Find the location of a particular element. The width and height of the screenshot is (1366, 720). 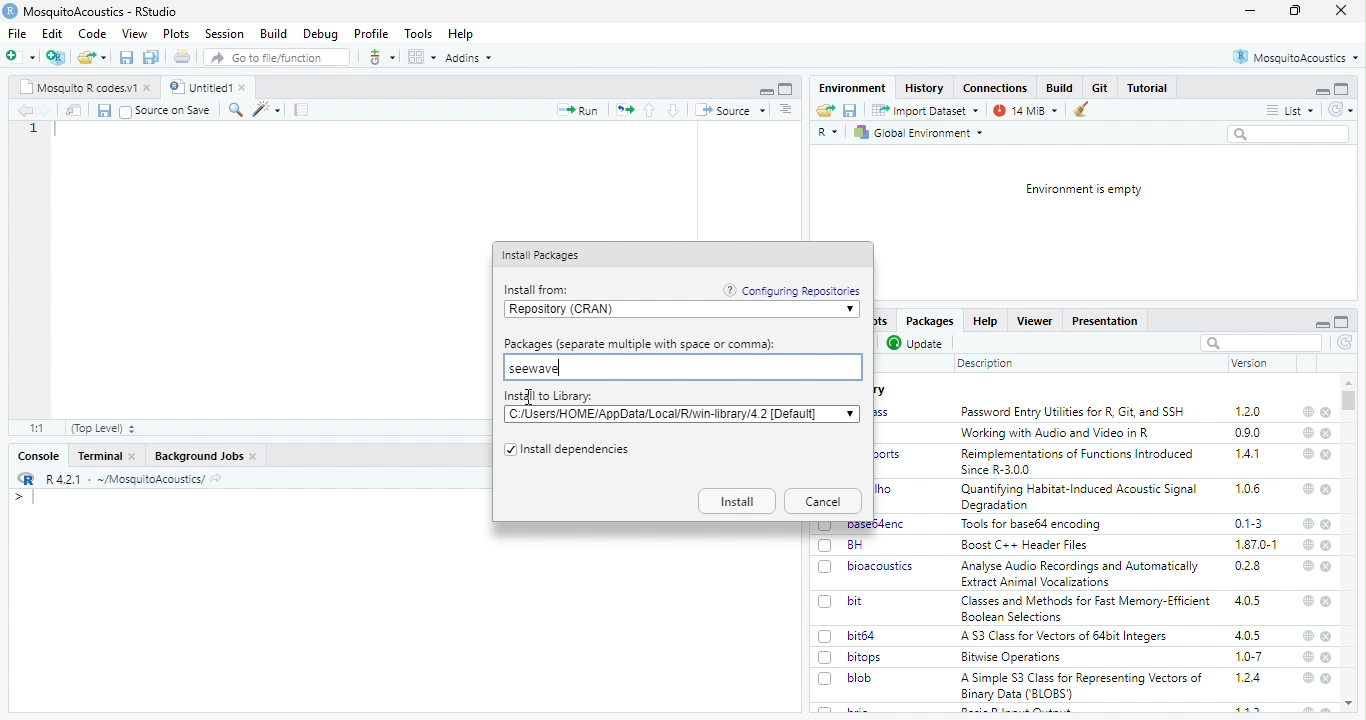

close is located at coordinates (1326, 455).